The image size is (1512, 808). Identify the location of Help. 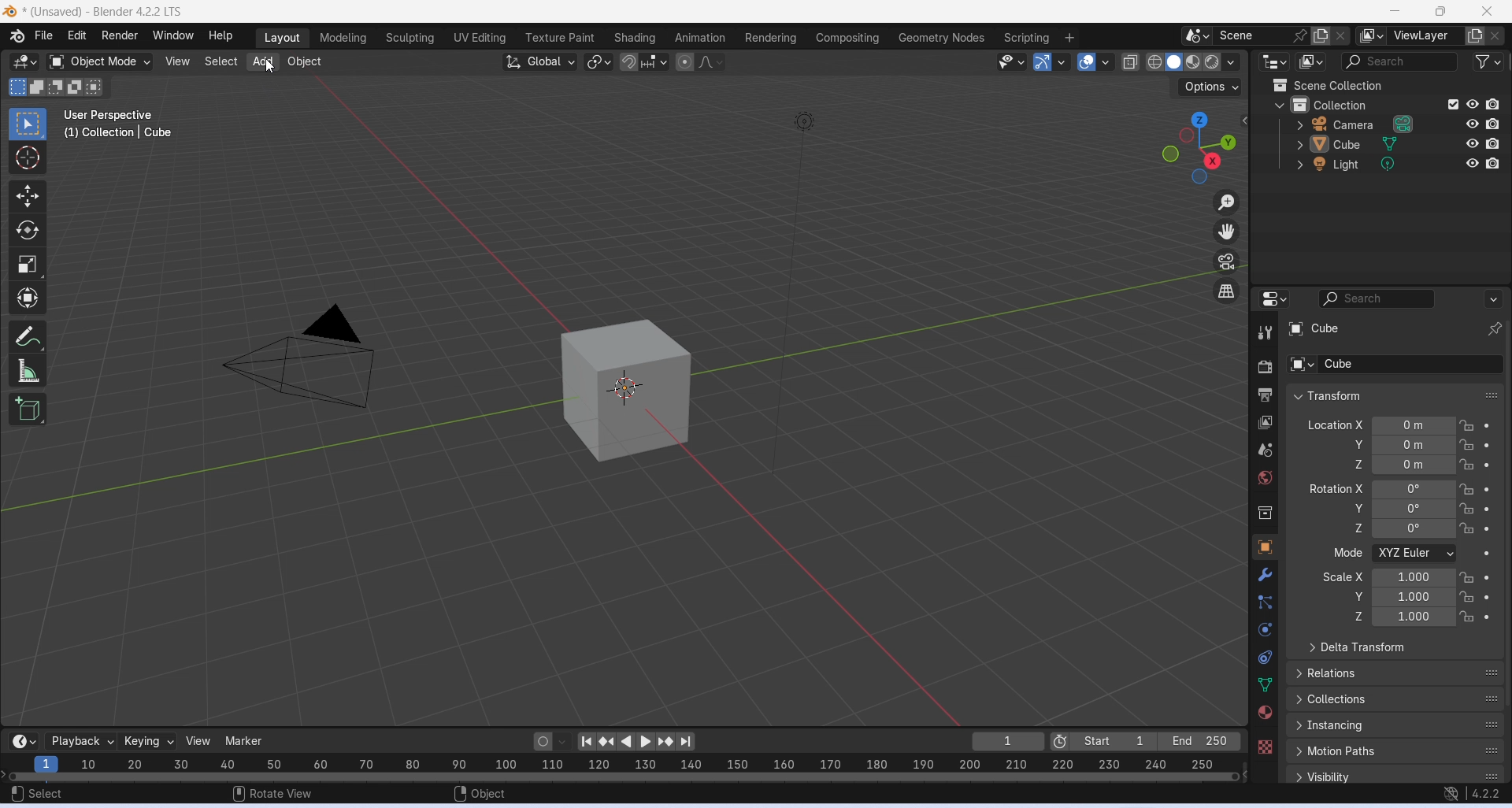
(220, 35).